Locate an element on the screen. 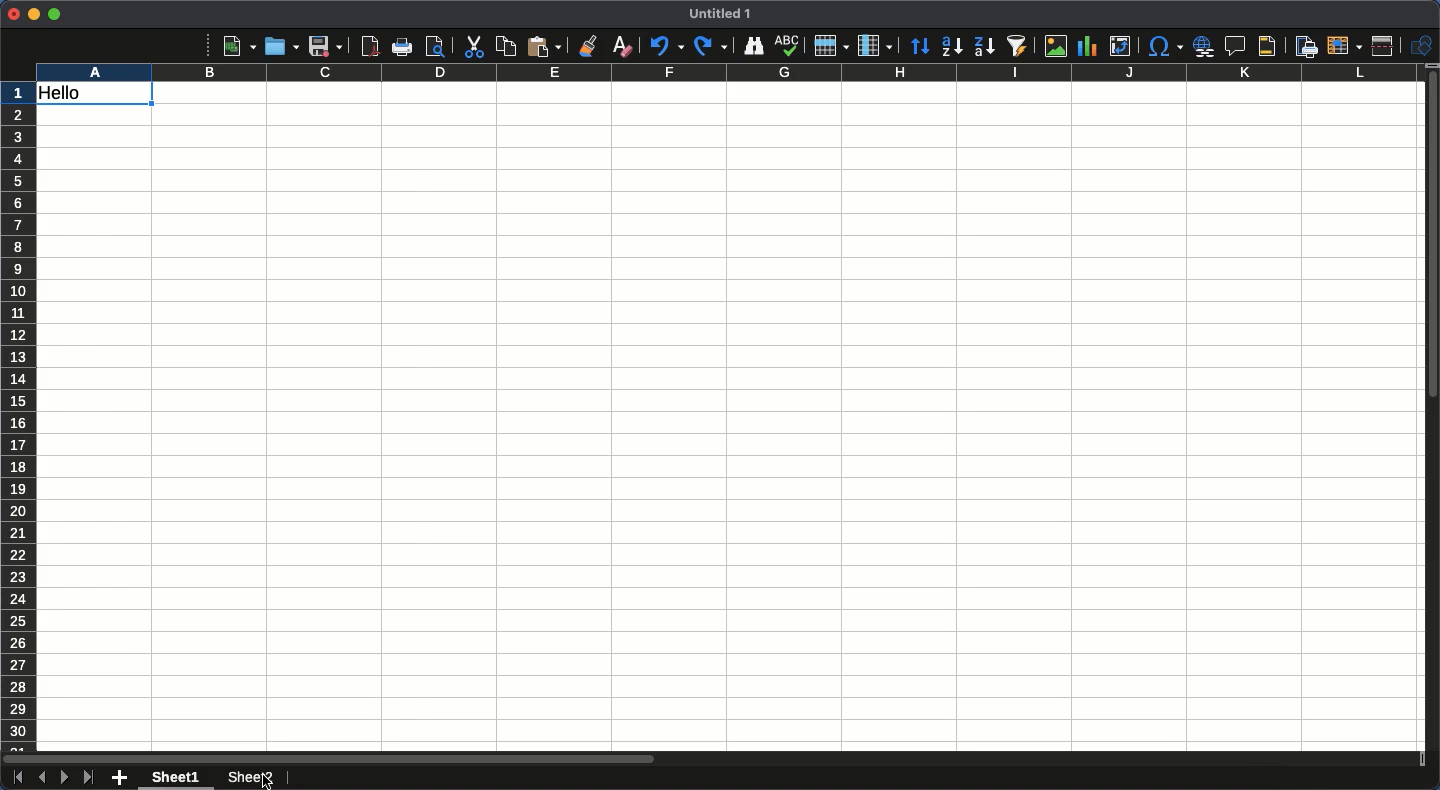 The image size is (1440, 790). Autofilter is located at coordinates (1016, 46).